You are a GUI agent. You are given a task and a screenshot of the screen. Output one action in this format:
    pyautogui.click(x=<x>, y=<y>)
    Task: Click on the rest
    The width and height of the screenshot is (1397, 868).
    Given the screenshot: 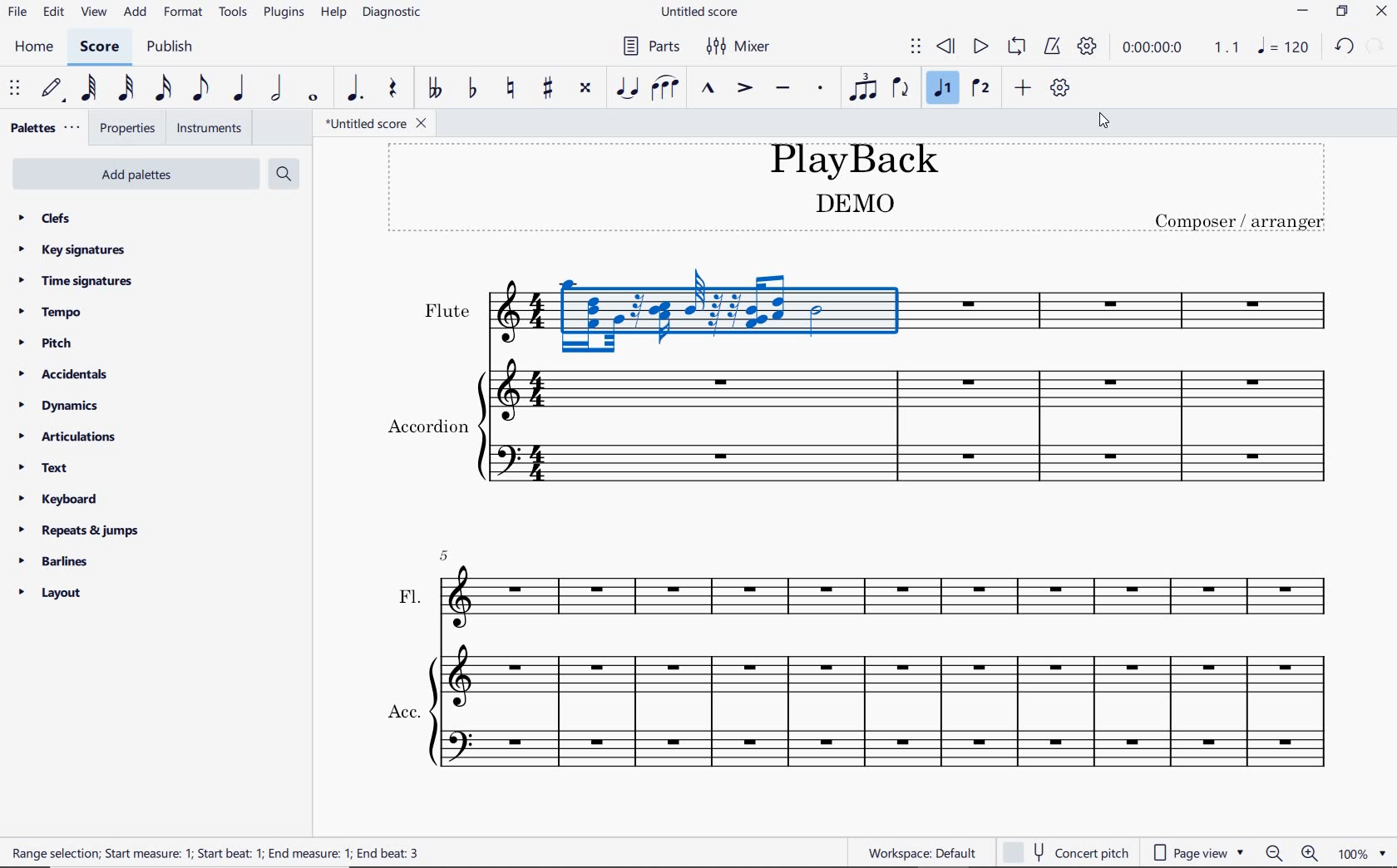 What is the action you would take?
    pyautogui.click(x=392, y=89)
    